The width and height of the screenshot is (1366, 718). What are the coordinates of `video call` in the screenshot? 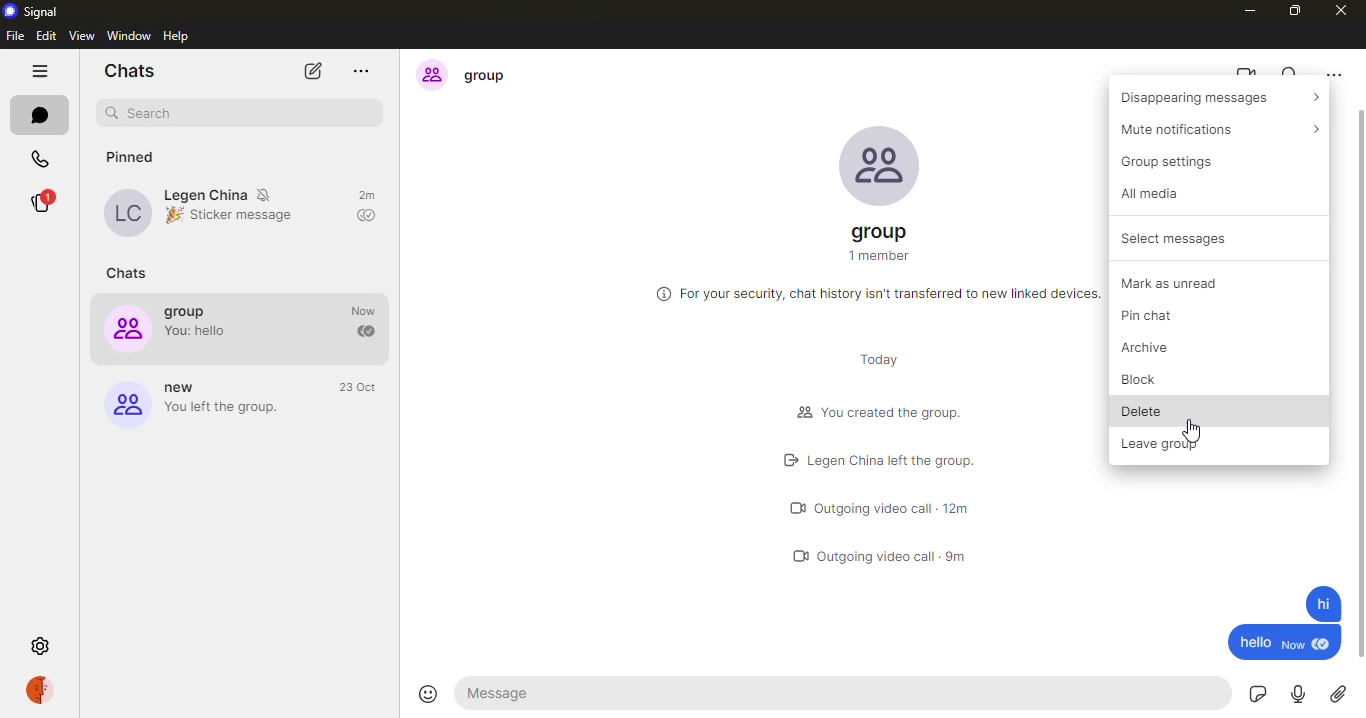 It's located at (1245, 75).